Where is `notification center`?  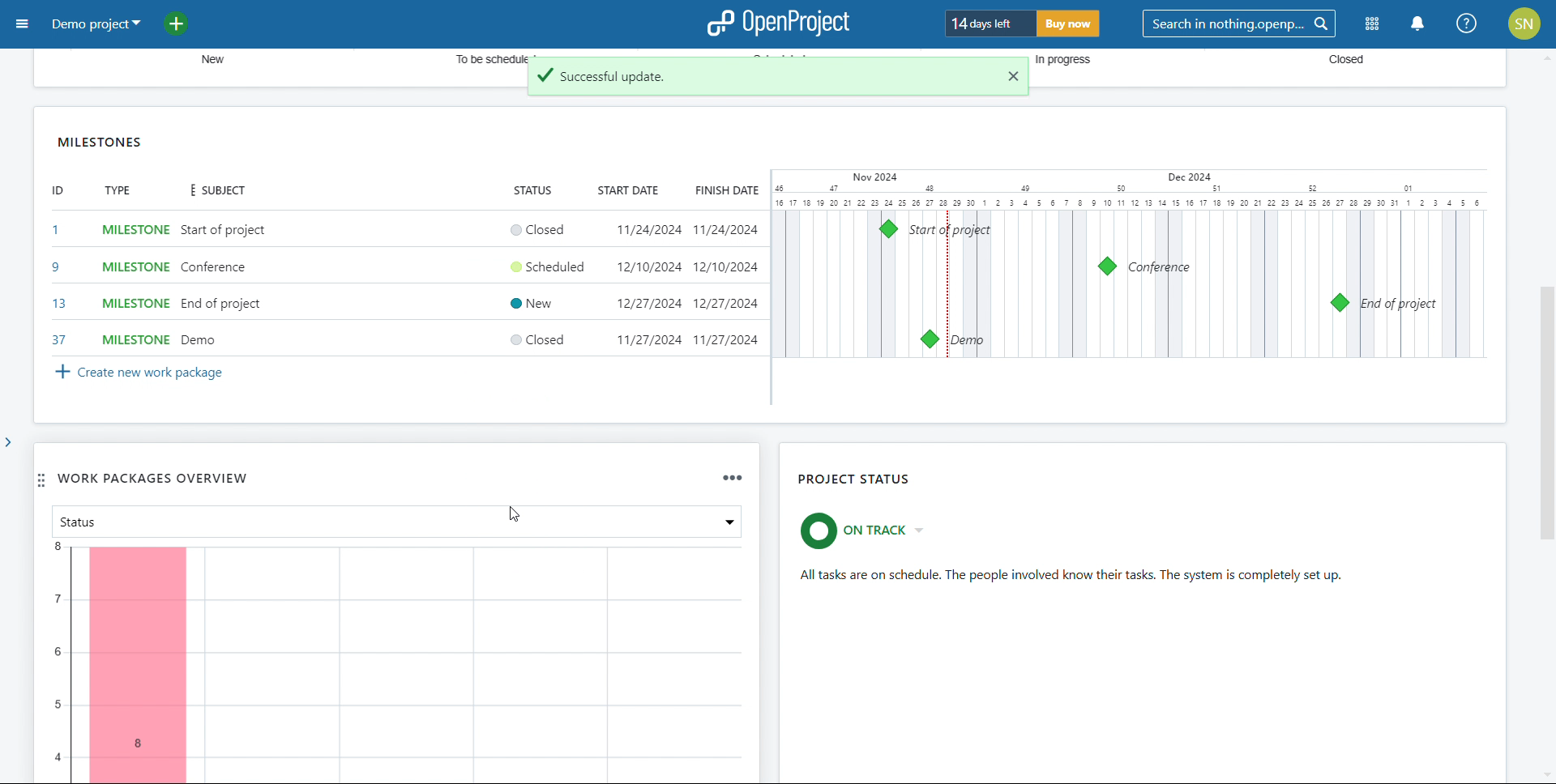 notification center is located at coordinates (1416, 24).